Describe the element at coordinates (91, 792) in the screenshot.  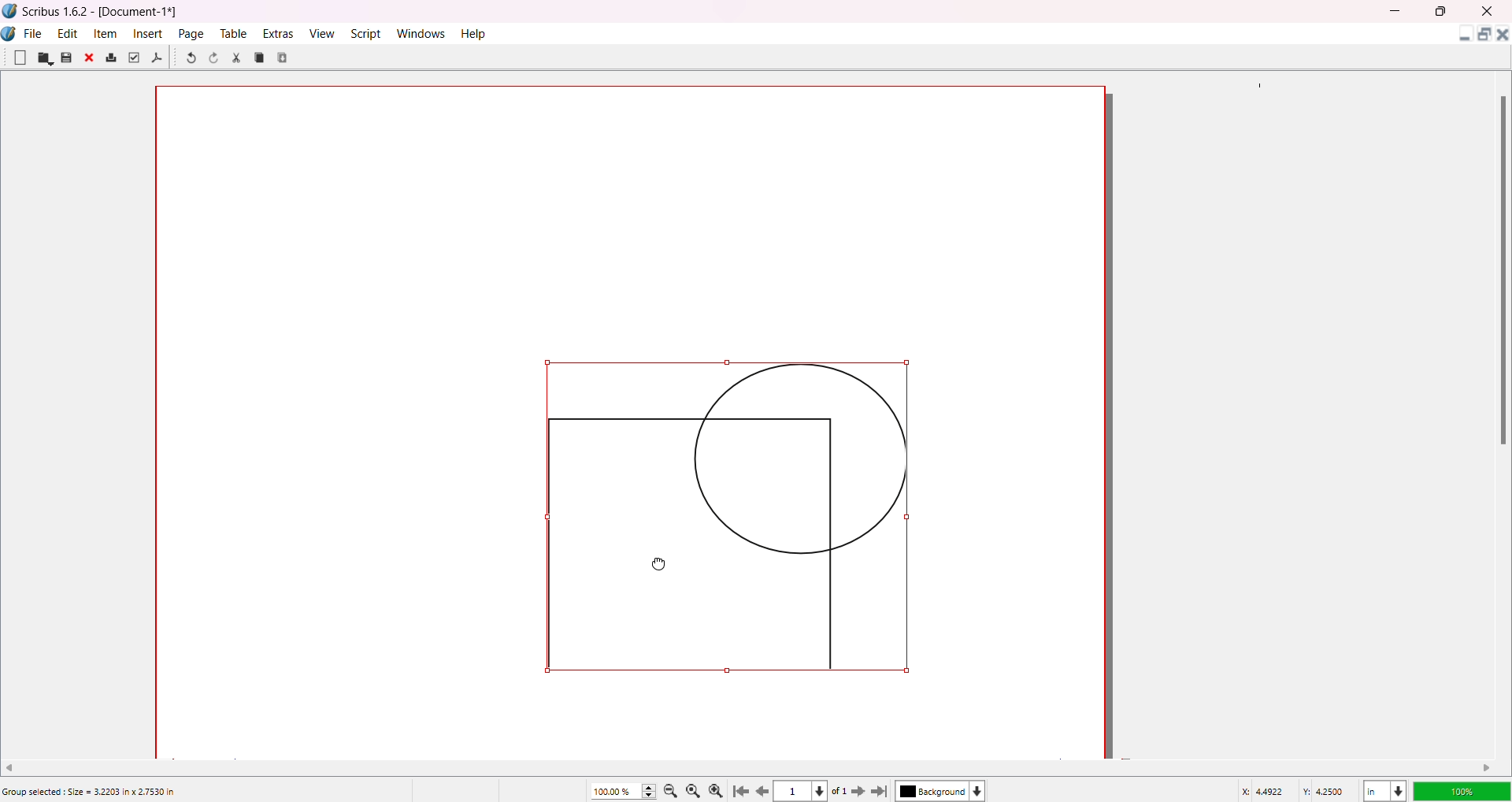
I see `Group selected: Size = 3.2203 in x 2.7530 in` at that location.